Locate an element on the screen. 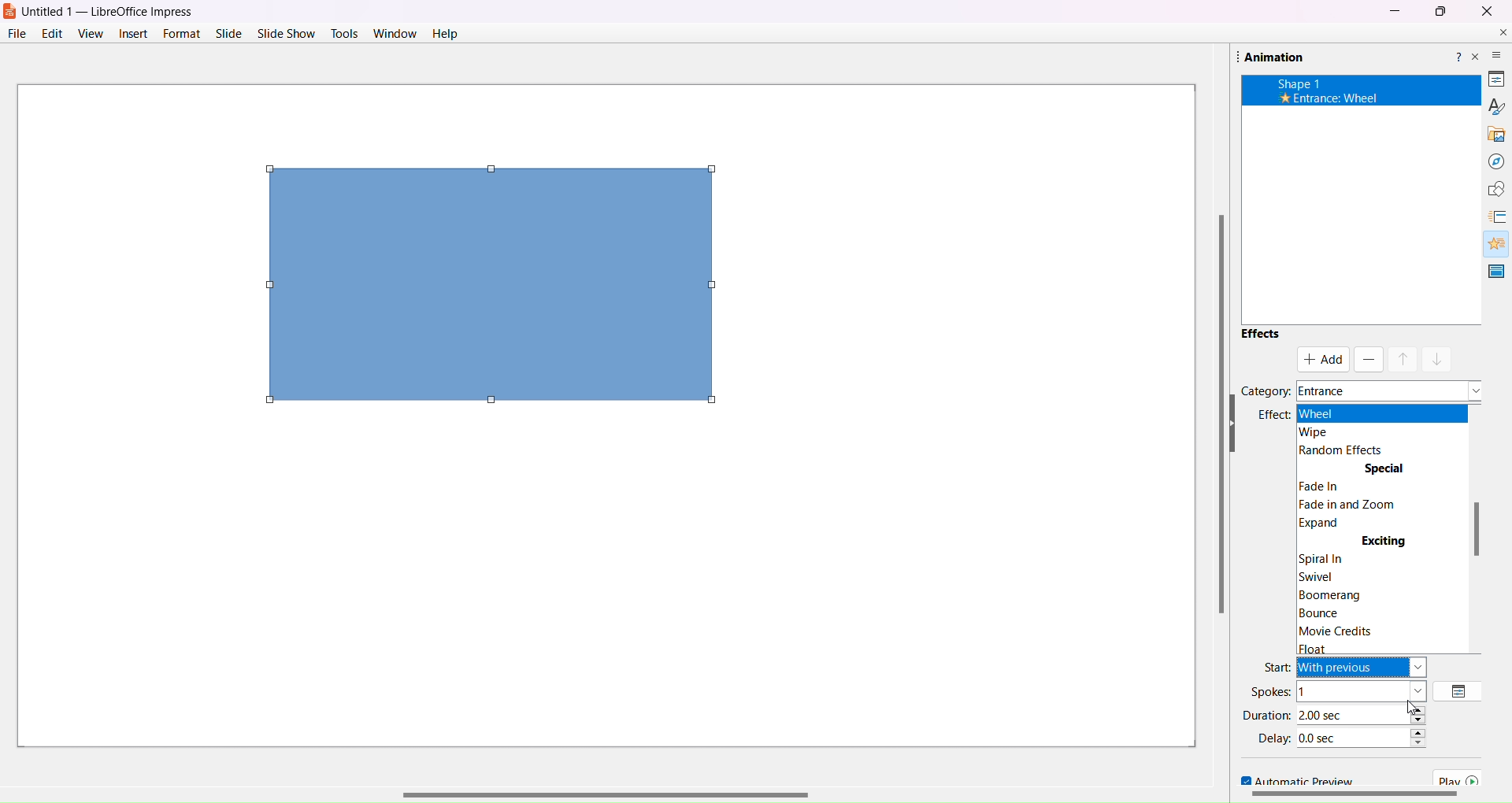 This screenshot has width=1512, height=803. Sidebar Settings is located at coordinates (1488, 49).